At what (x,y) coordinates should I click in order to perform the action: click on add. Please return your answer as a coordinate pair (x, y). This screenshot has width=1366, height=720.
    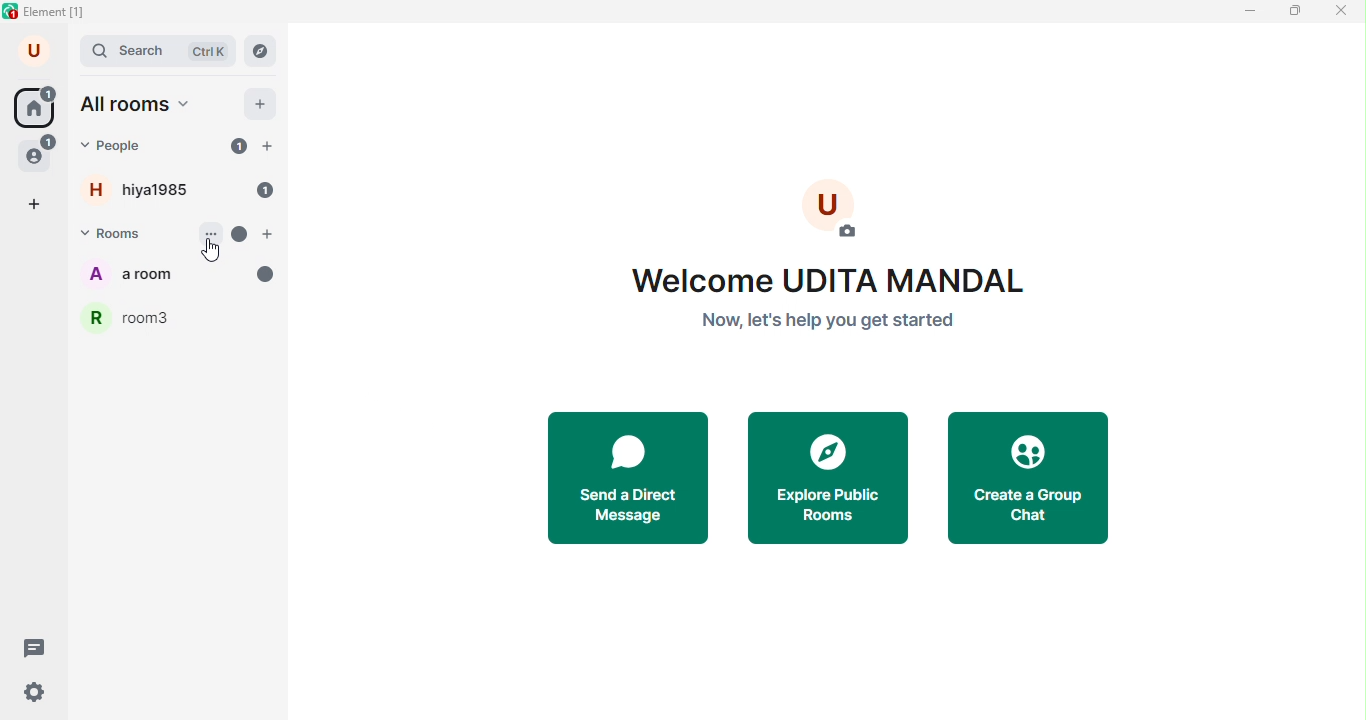
    Looking at the image, I should click on (262, 104).